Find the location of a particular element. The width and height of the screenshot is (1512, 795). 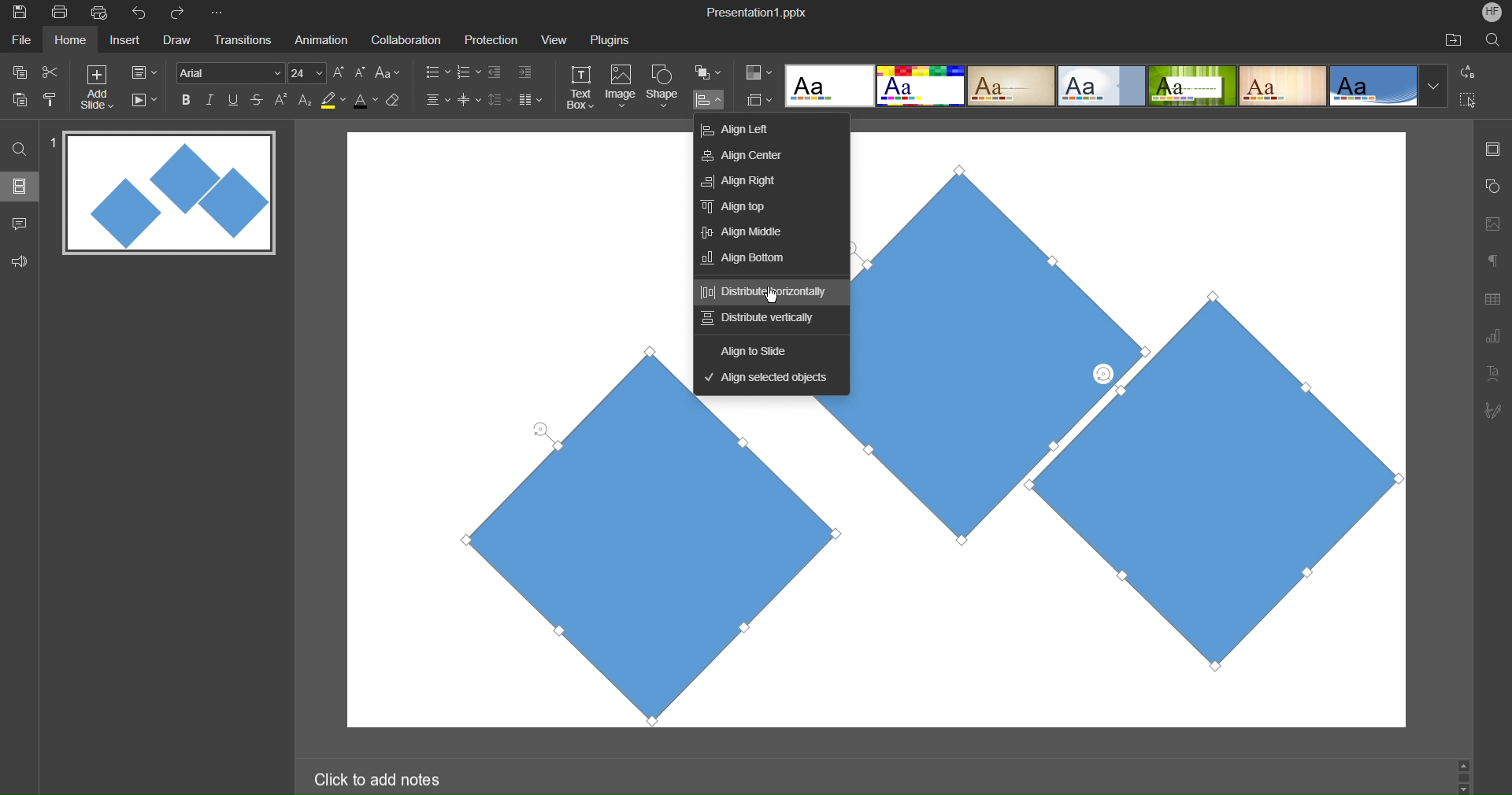

Paste is located at coordinates (20, 98).